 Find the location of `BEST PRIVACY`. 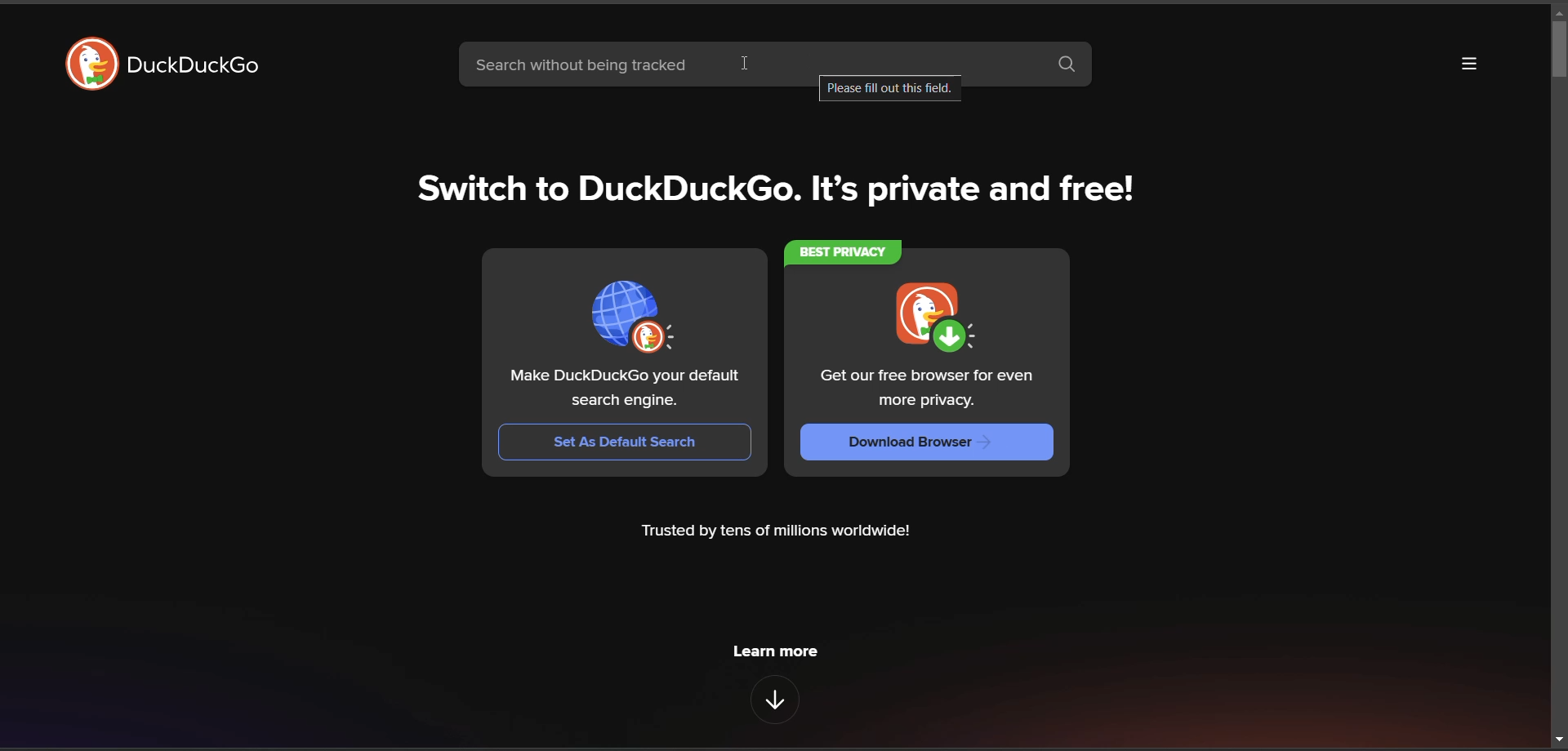

BEST PRIVACY is located at coordinates (846, 255).